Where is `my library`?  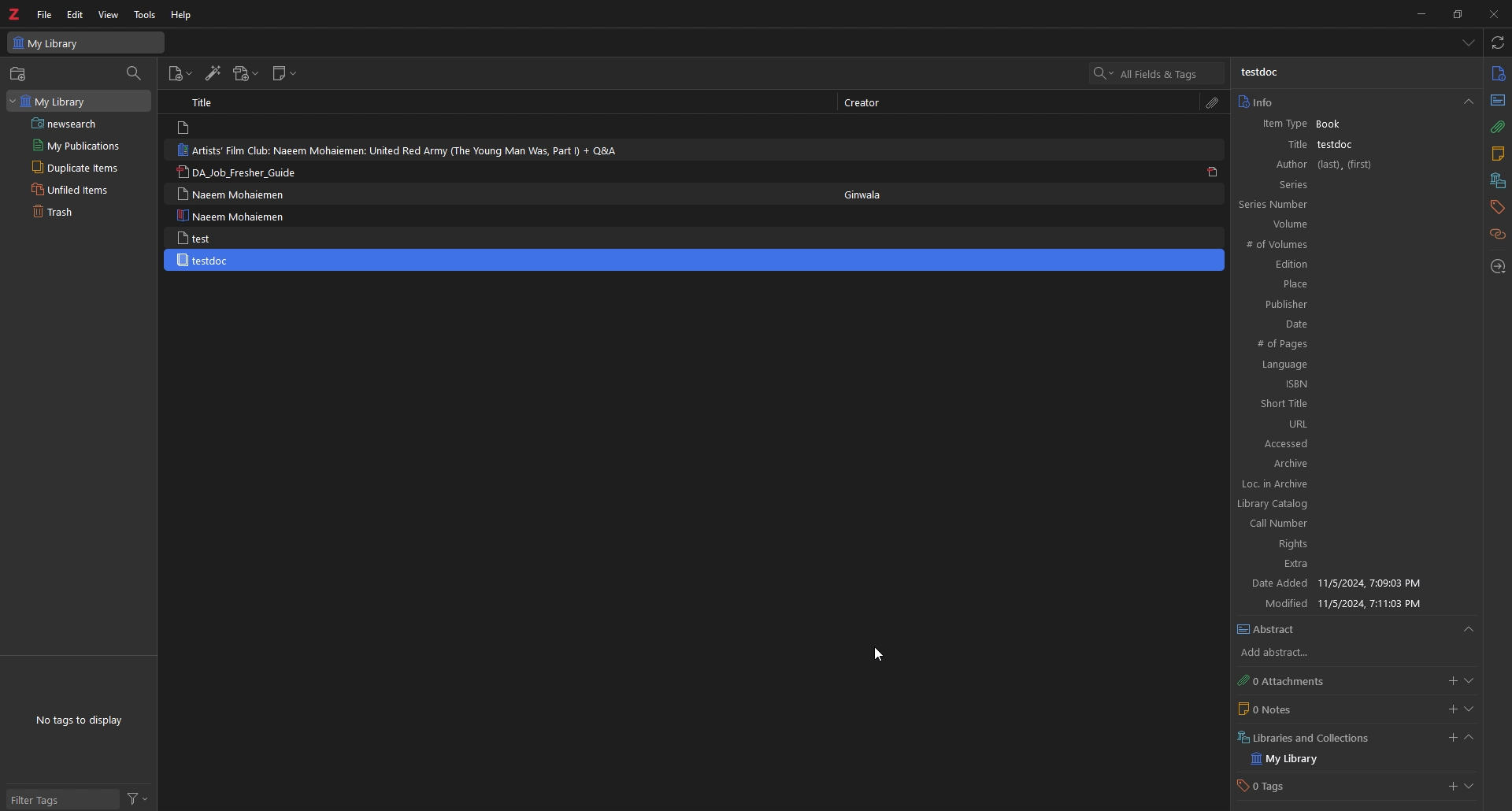 my library is located at coordinates (77, 100).